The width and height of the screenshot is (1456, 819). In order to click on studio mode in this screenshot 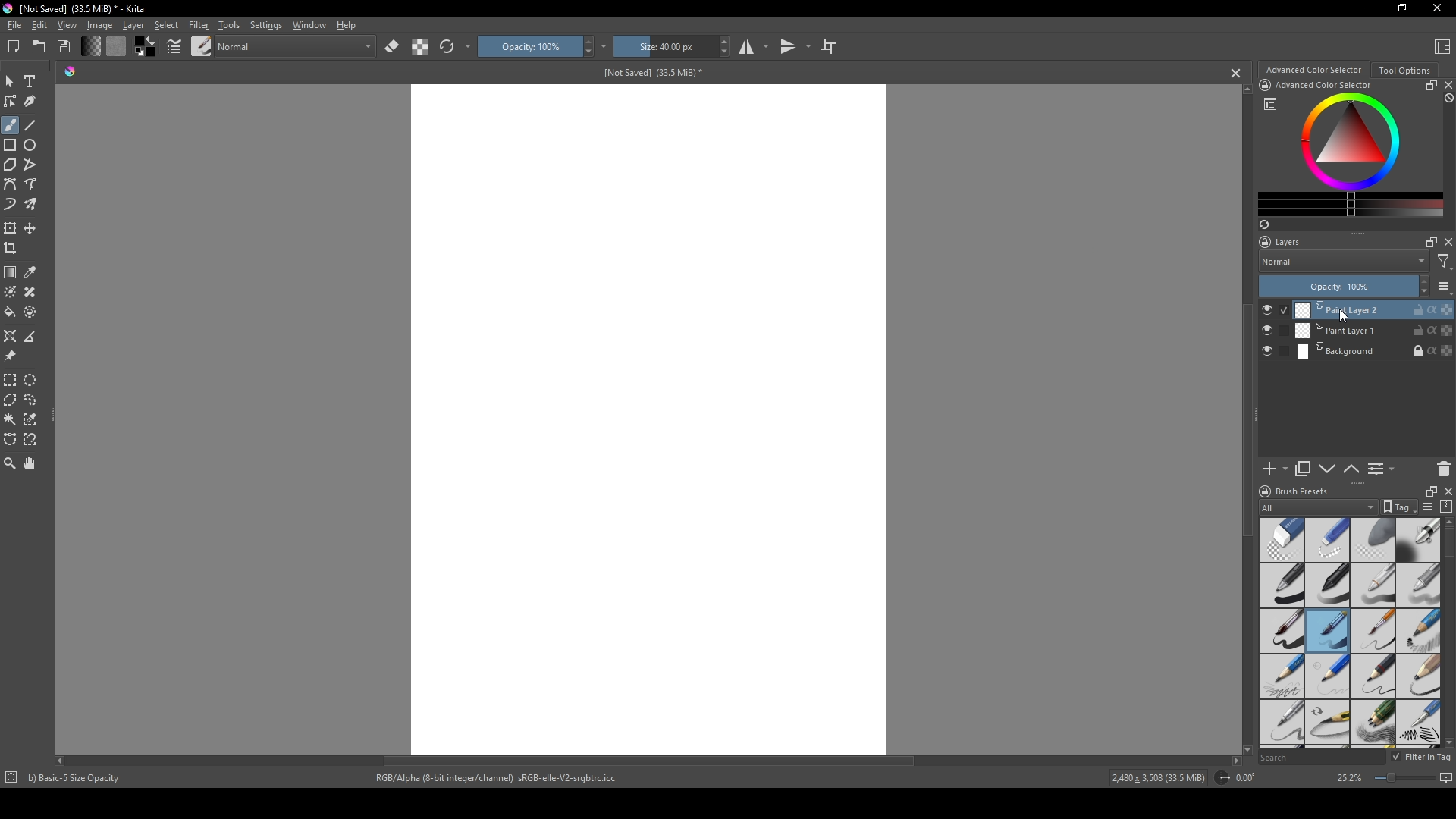, I will do `click(754, 46)`.